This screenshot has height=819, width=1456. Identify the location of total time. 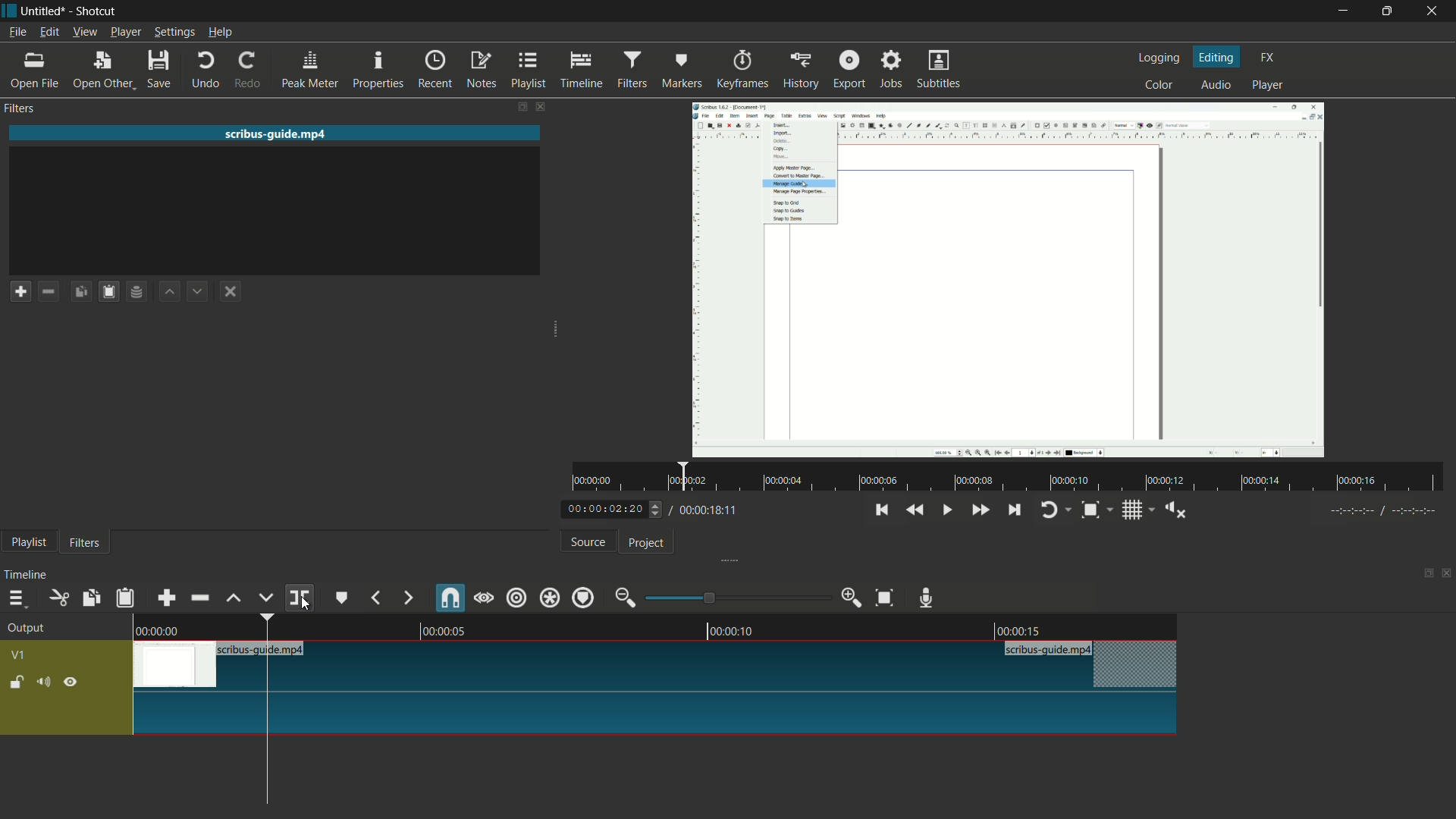
(704, 510).